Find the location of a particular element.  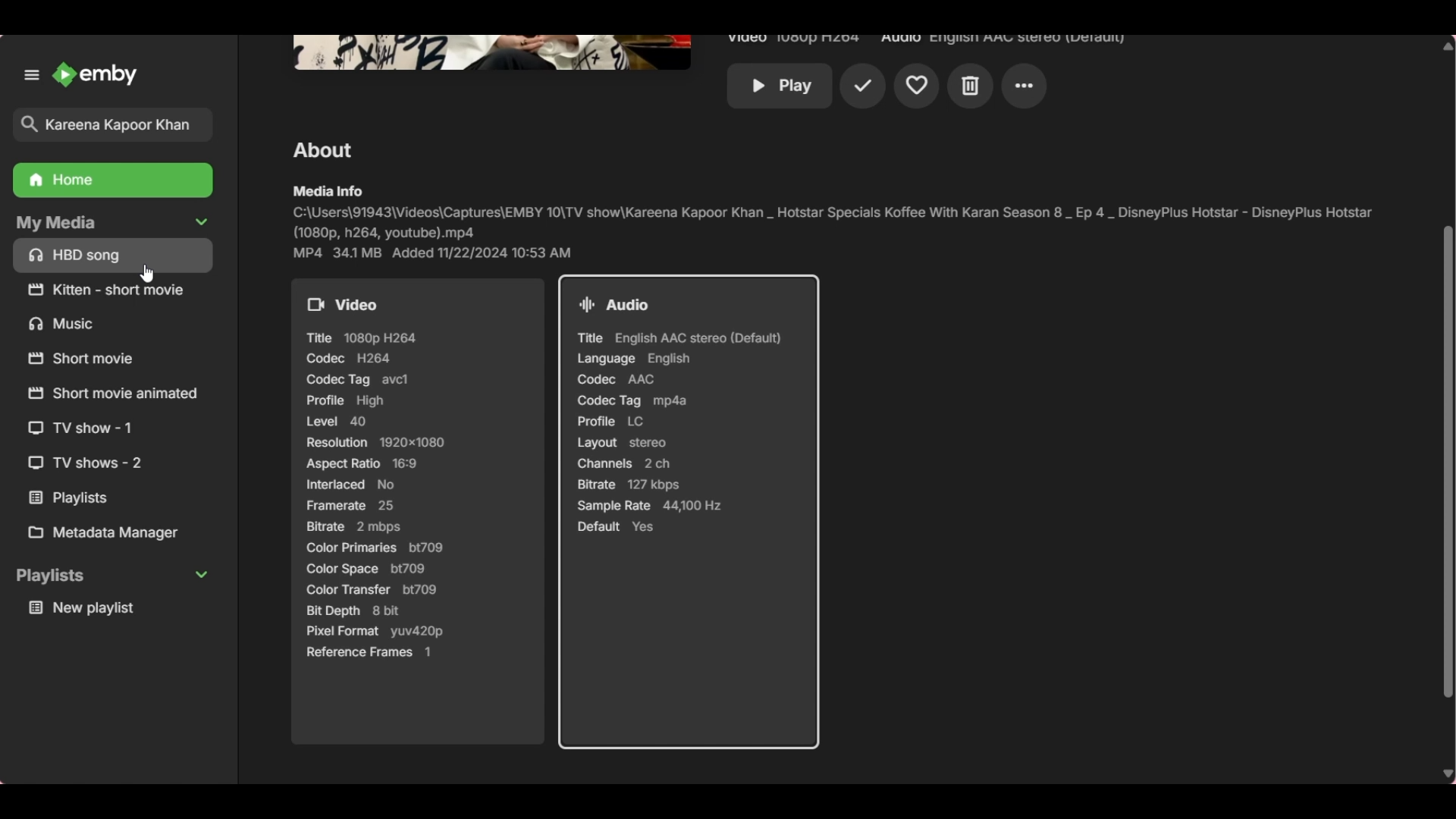

 is located at coordinates (105, 428).